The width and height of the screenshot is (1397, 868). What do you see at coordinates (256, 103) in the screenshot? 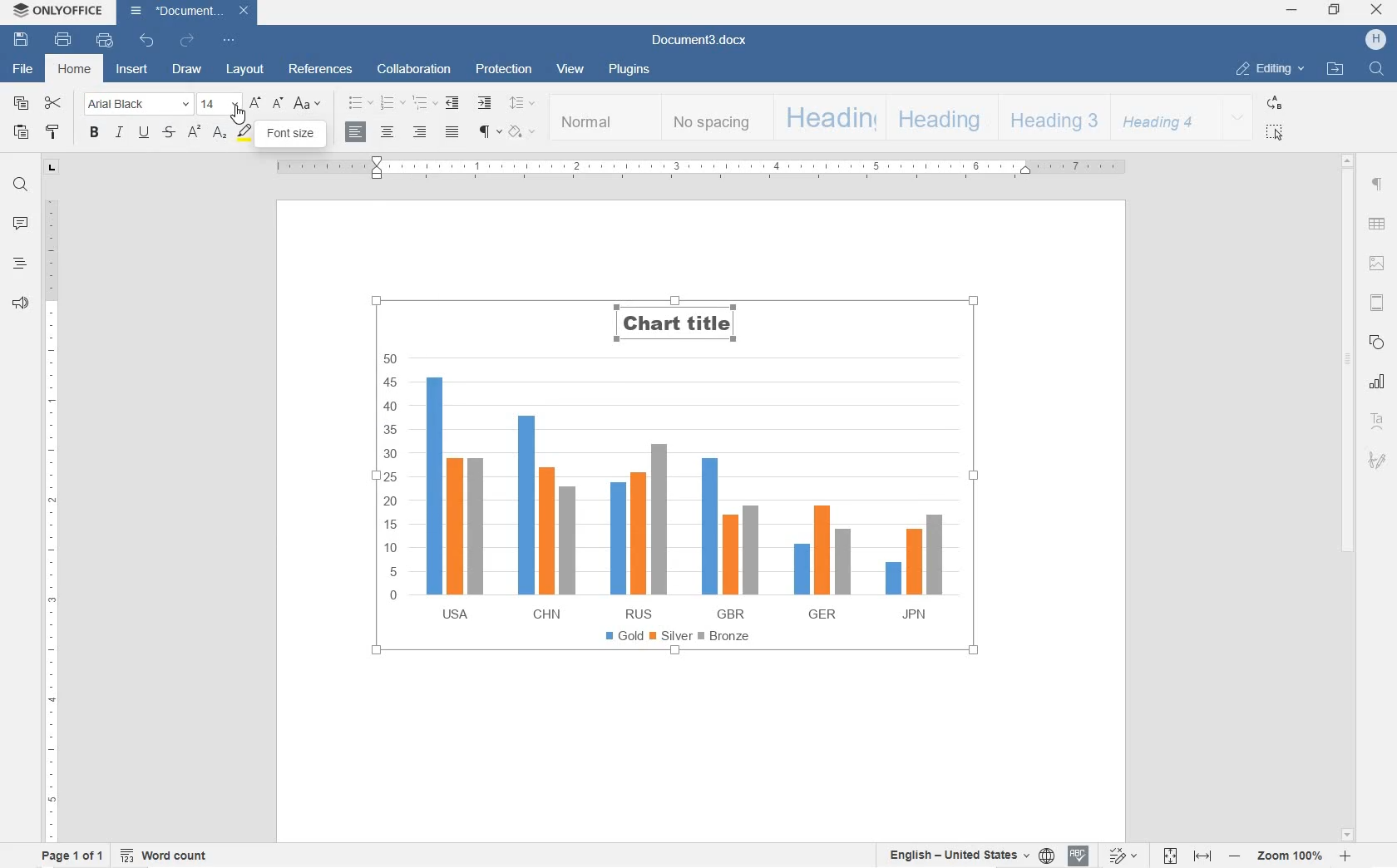
I see `INCREMENT FONT SIZE` at bounding box center [256, 103].